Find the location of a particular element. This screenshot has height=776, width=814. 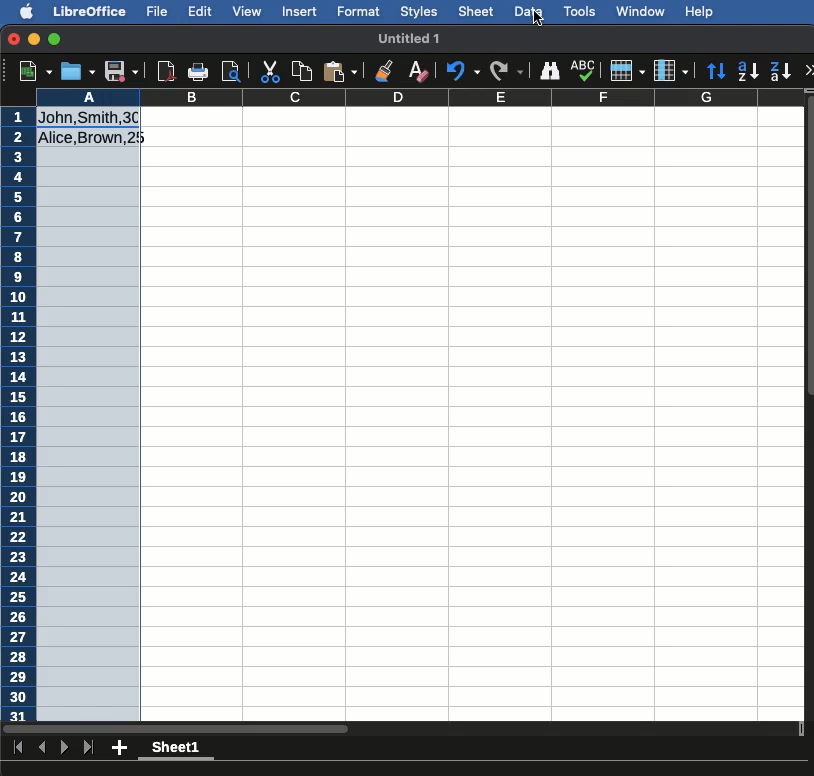

Undo is located at coordinates (465, 70).